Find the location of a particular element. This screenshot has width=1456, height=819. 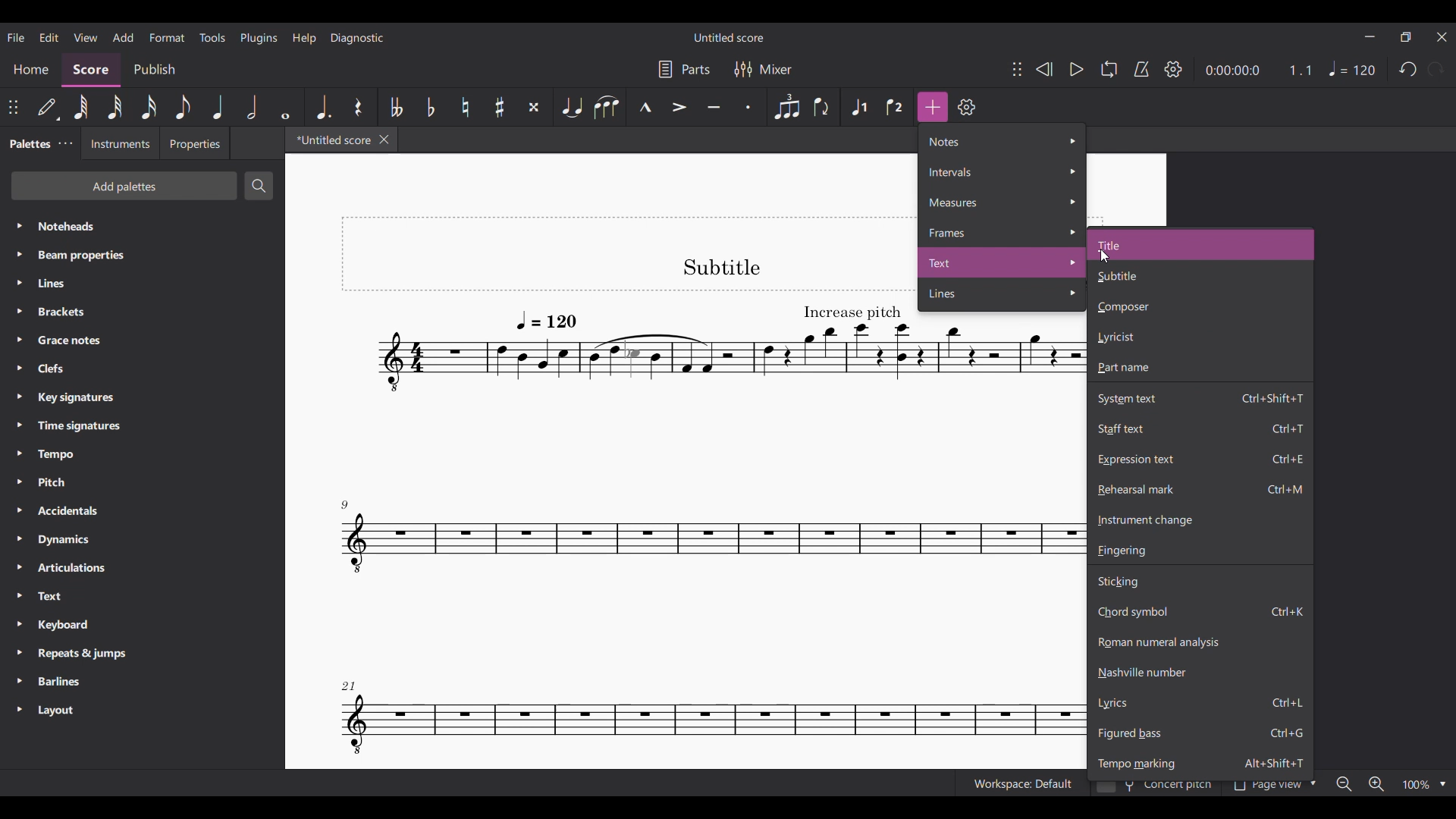

Edit menu is located at coordinates (49, 37).